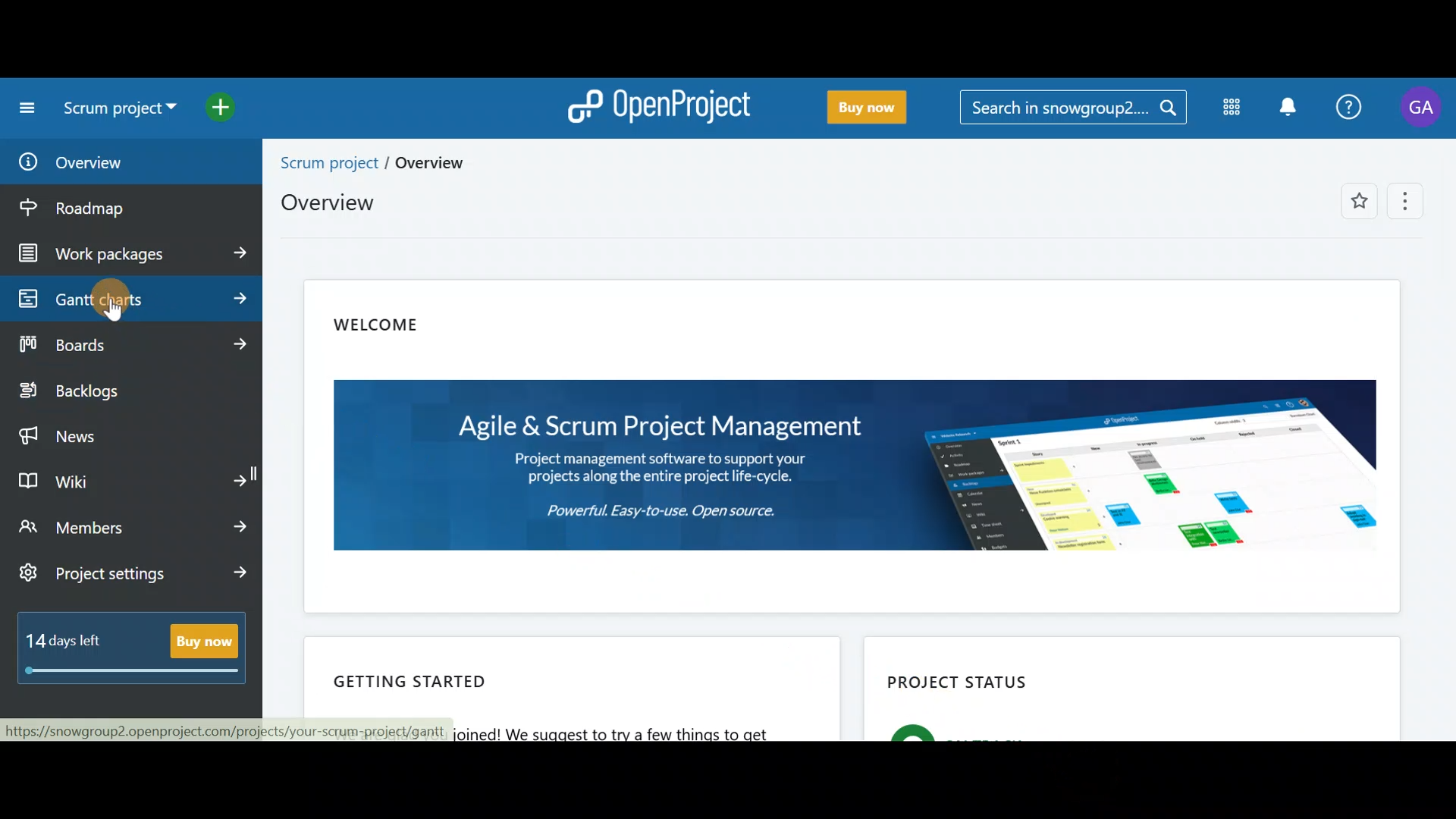 The image size is (1456, 819). What do you see at coordinates (133, 580) in the screenshot?
I see `Project settings` at bounding box center [133, 580].